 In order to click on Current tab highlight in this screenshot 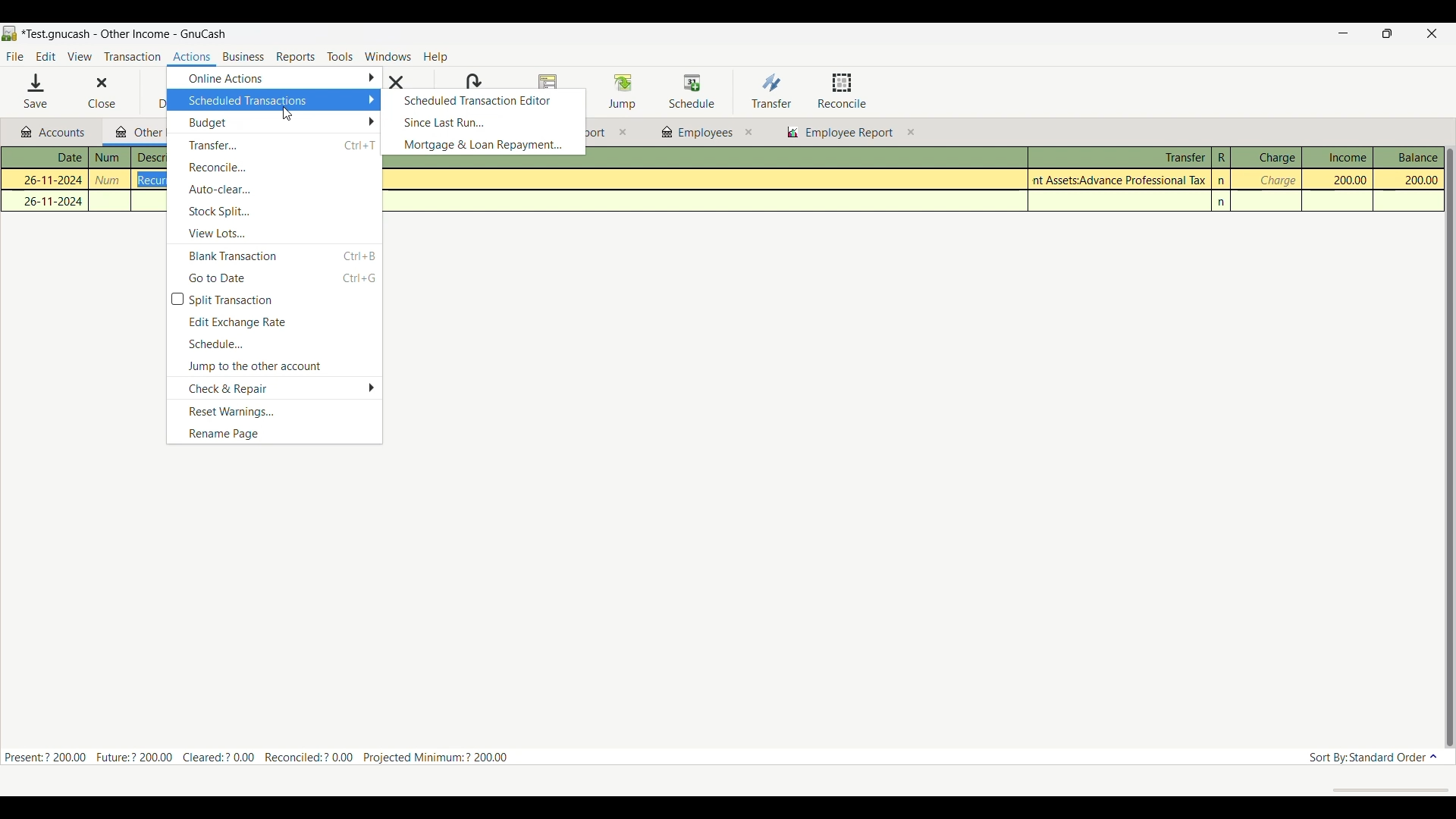, I will do `click(133, 130)`.